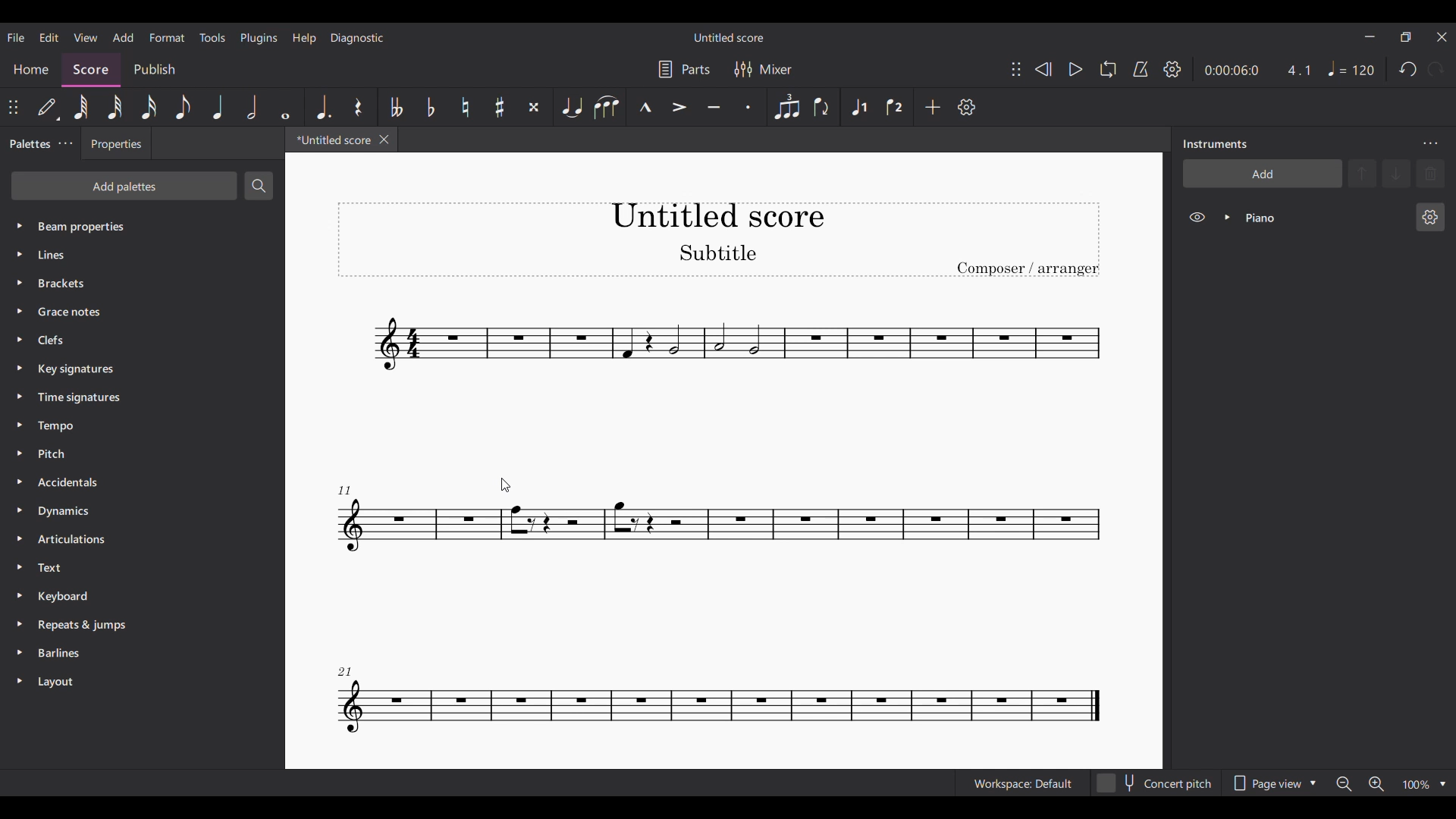 The width and height of the screenshot is (1456, 819). Describe the element at coordinates (1276, 779) in the screenshot. I see `Page view options` at that location.